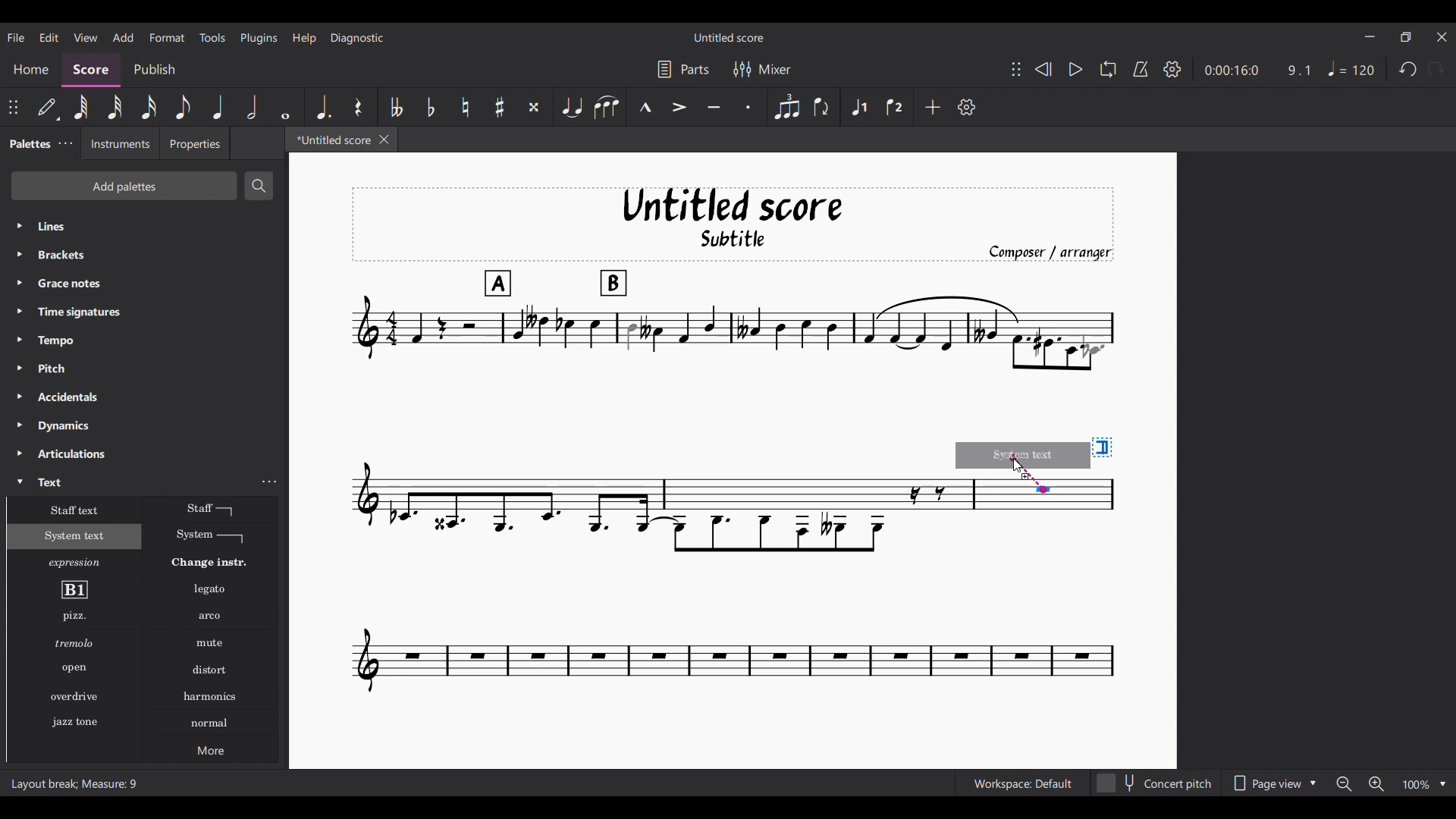  What do you see at coordinates (1023, 456) in the screenshot?
I see `Preview of selection` at bounding box center [1023, 456].